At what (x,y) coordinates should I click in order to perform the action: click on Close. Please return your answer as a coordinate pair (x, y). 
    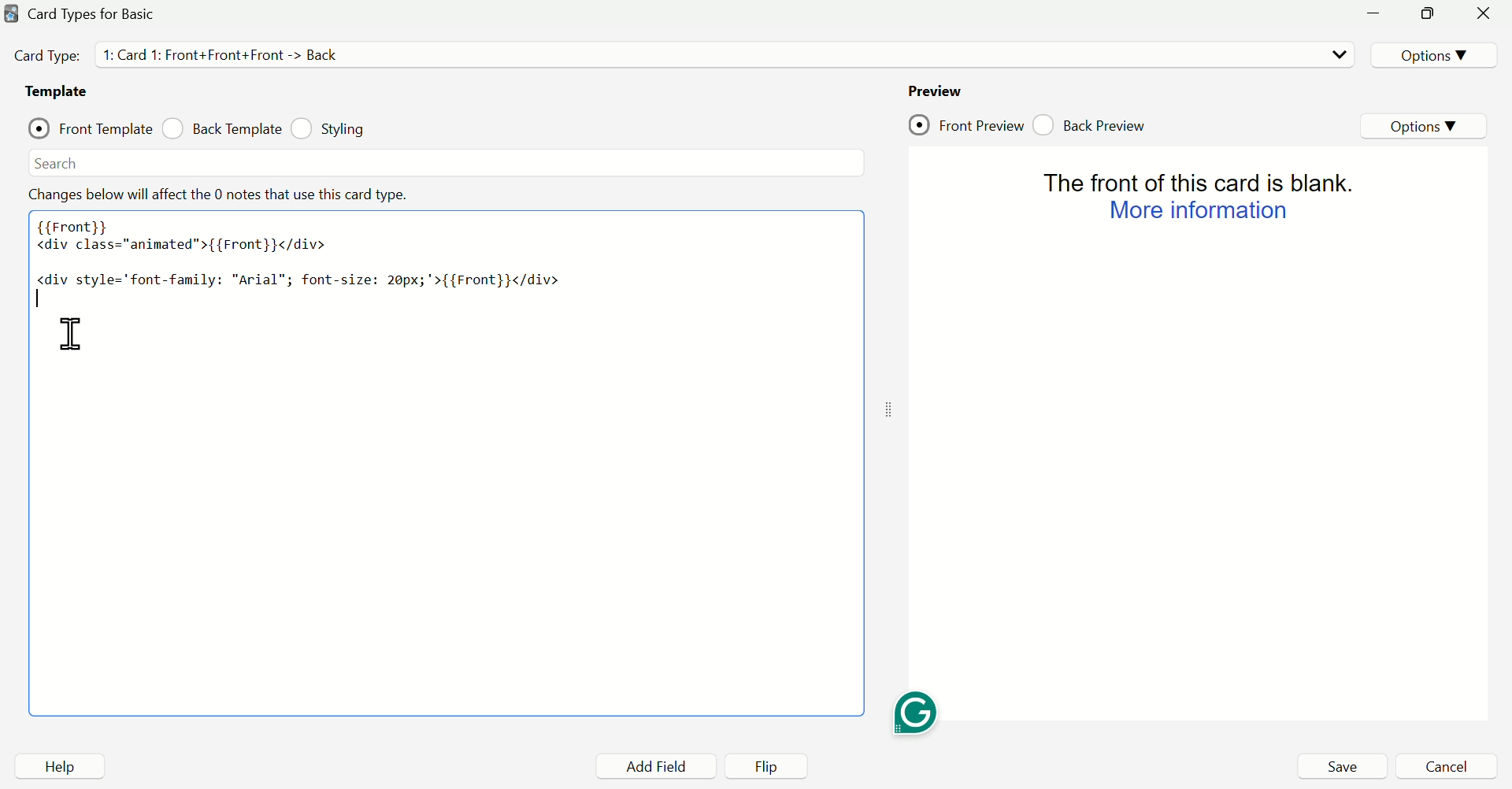
    Looking at the image, I should click on (1484, 14).